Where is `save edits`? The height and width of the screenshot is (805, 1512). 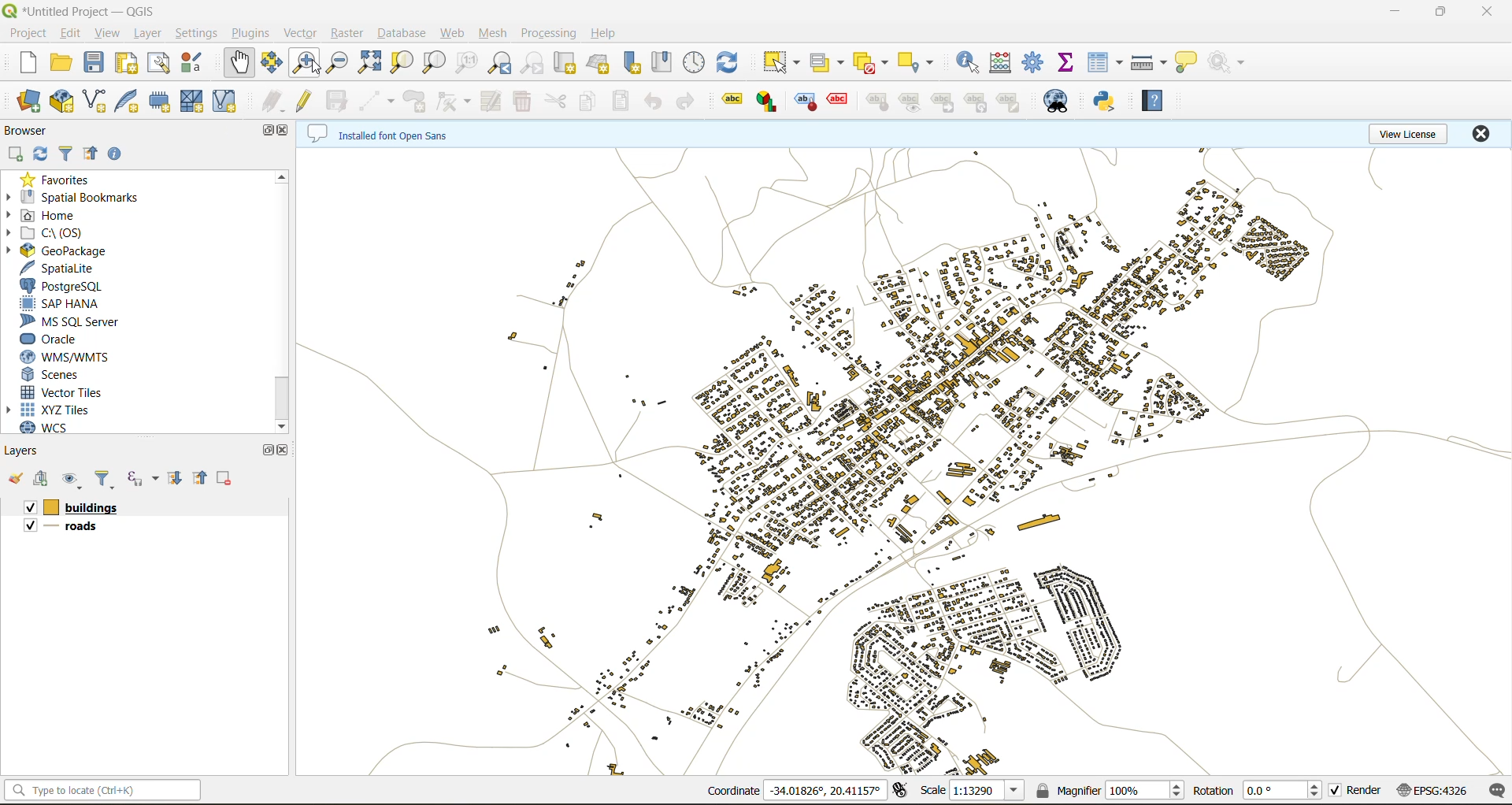
save edits is located at coordinates (338, 102).